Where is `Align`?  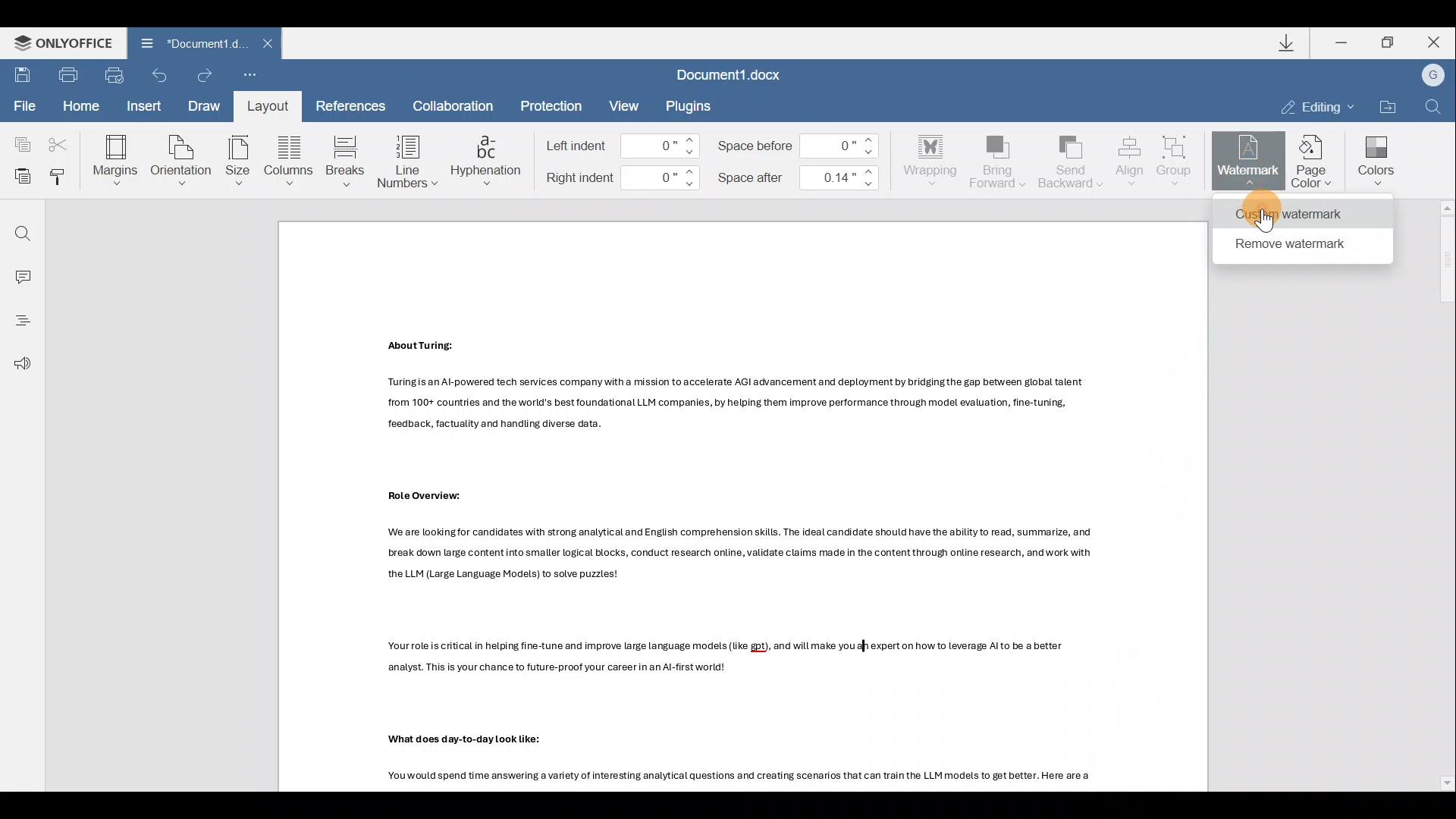
Align is located at coordinates (1130, 162).